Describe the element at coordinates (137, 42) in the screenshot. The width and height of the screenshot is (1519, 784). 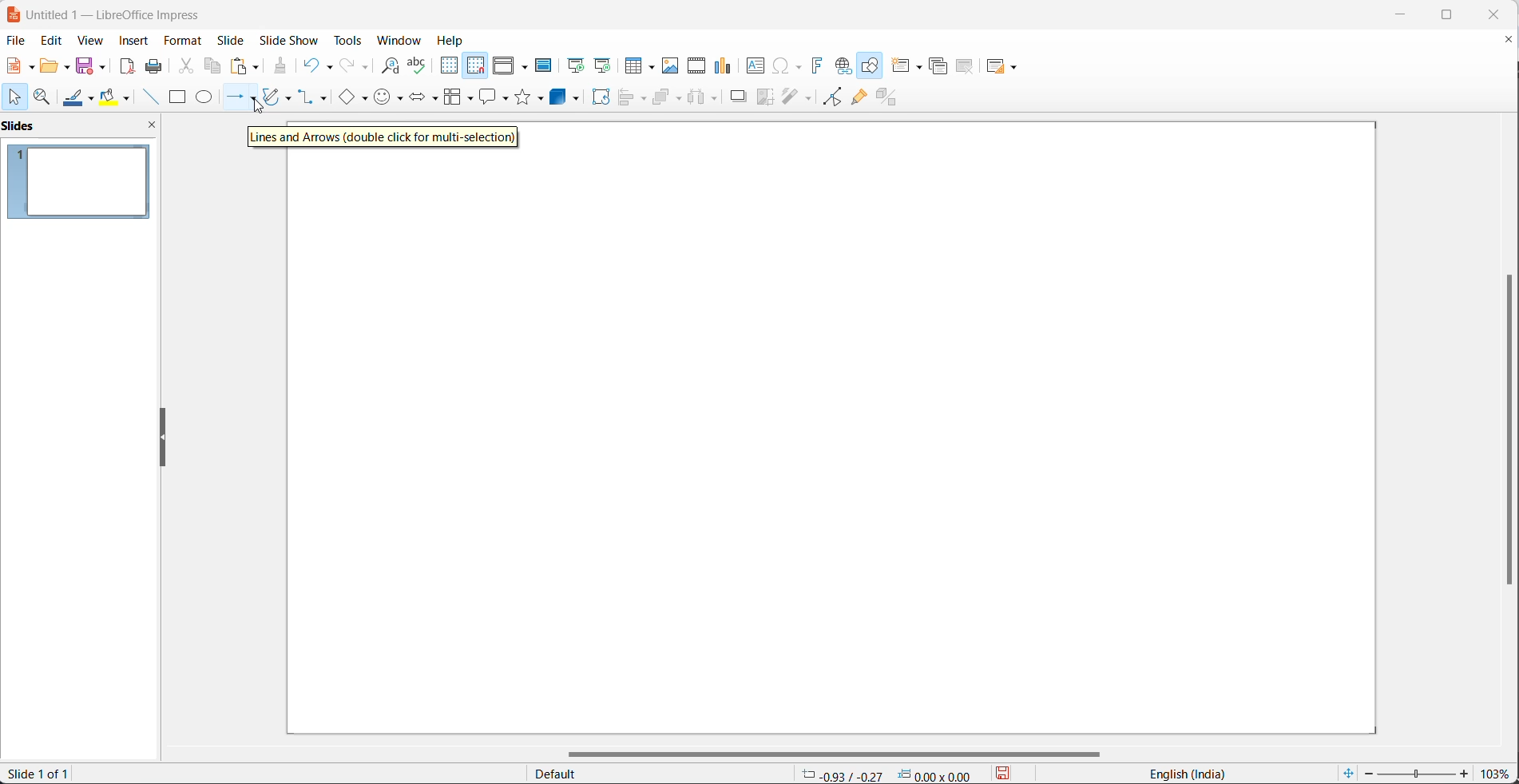
I see `insert ` at that location.